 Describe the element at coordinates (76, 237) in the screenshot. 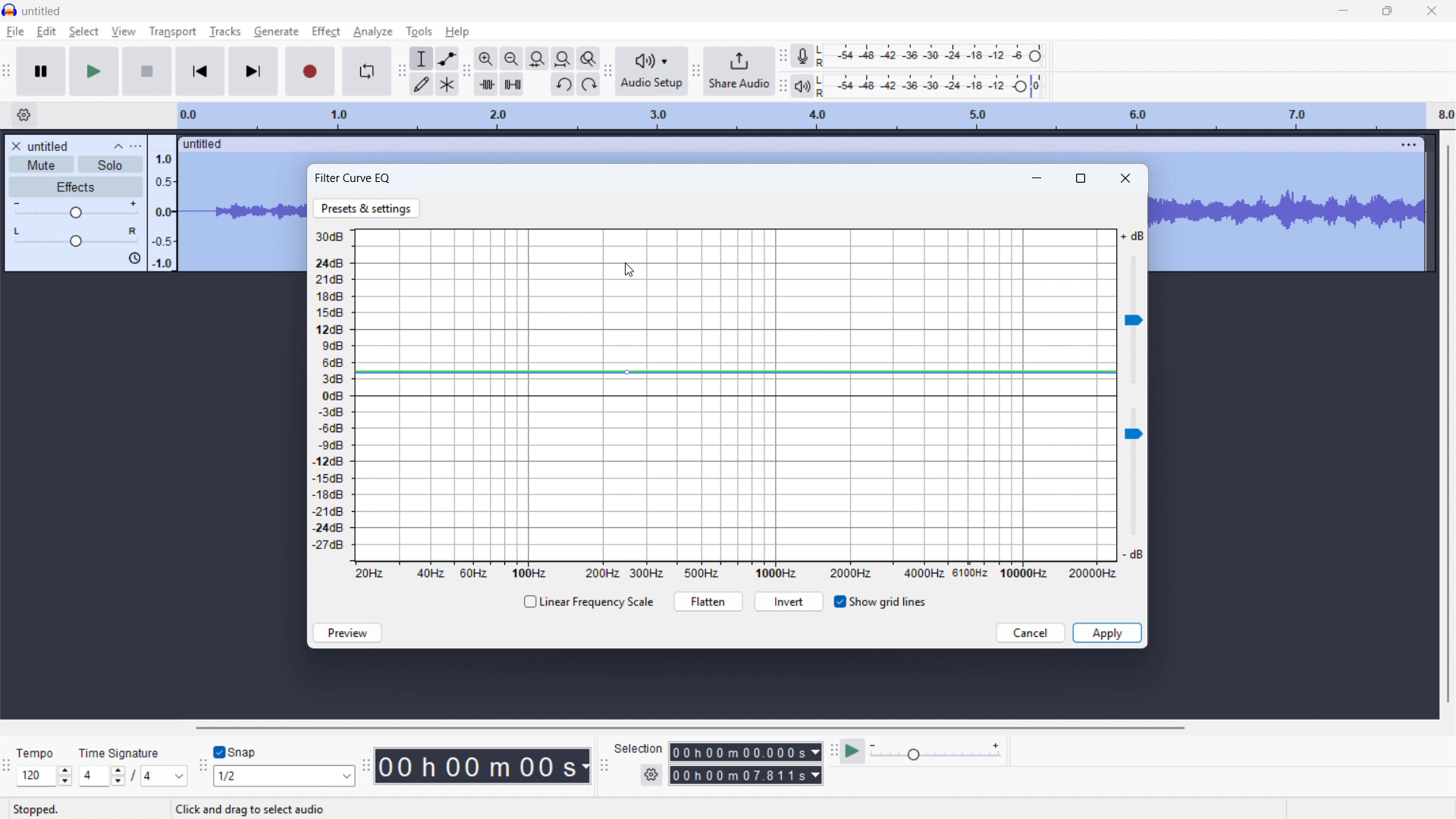

I see `pan: centre` at that location.